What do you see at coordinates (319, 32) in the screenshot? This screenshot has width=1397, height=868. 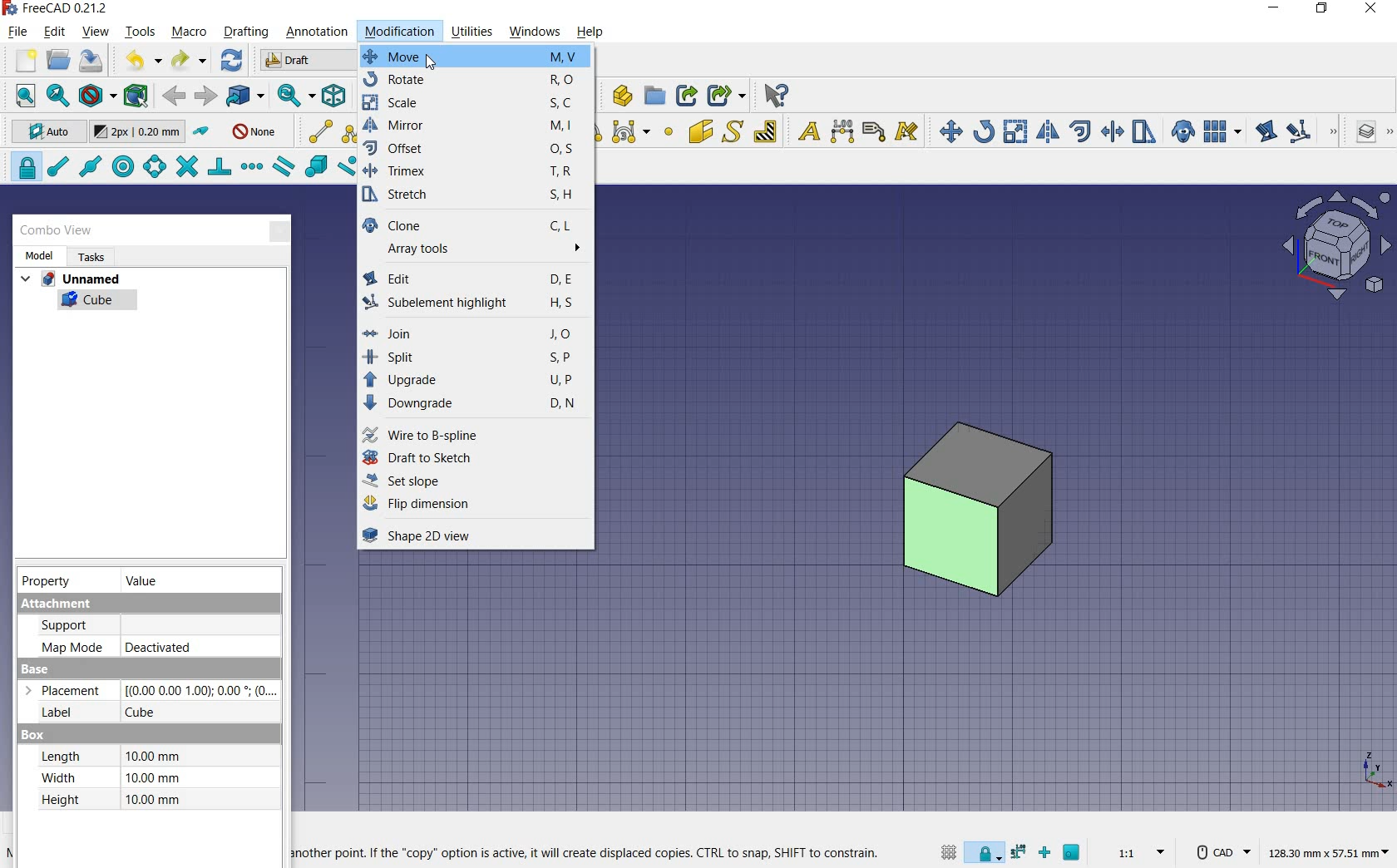 I see `annotation` at bounding box center [319, 32].